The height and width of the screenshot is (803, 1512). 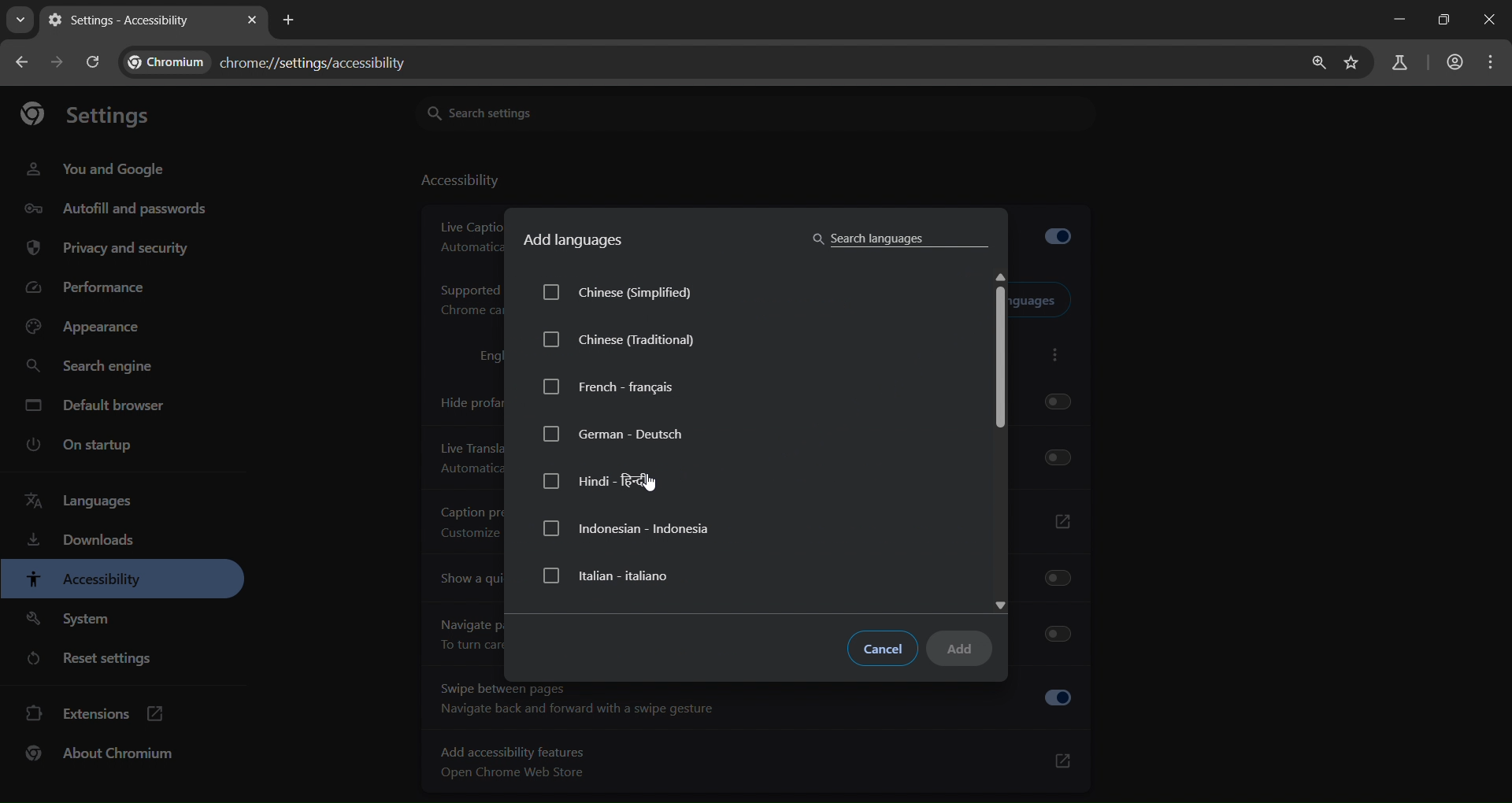 What do you see at coordinates (628, 529) in the screenshot?
I see `indonesian - Indonesia` at bounding box center [628, 529].